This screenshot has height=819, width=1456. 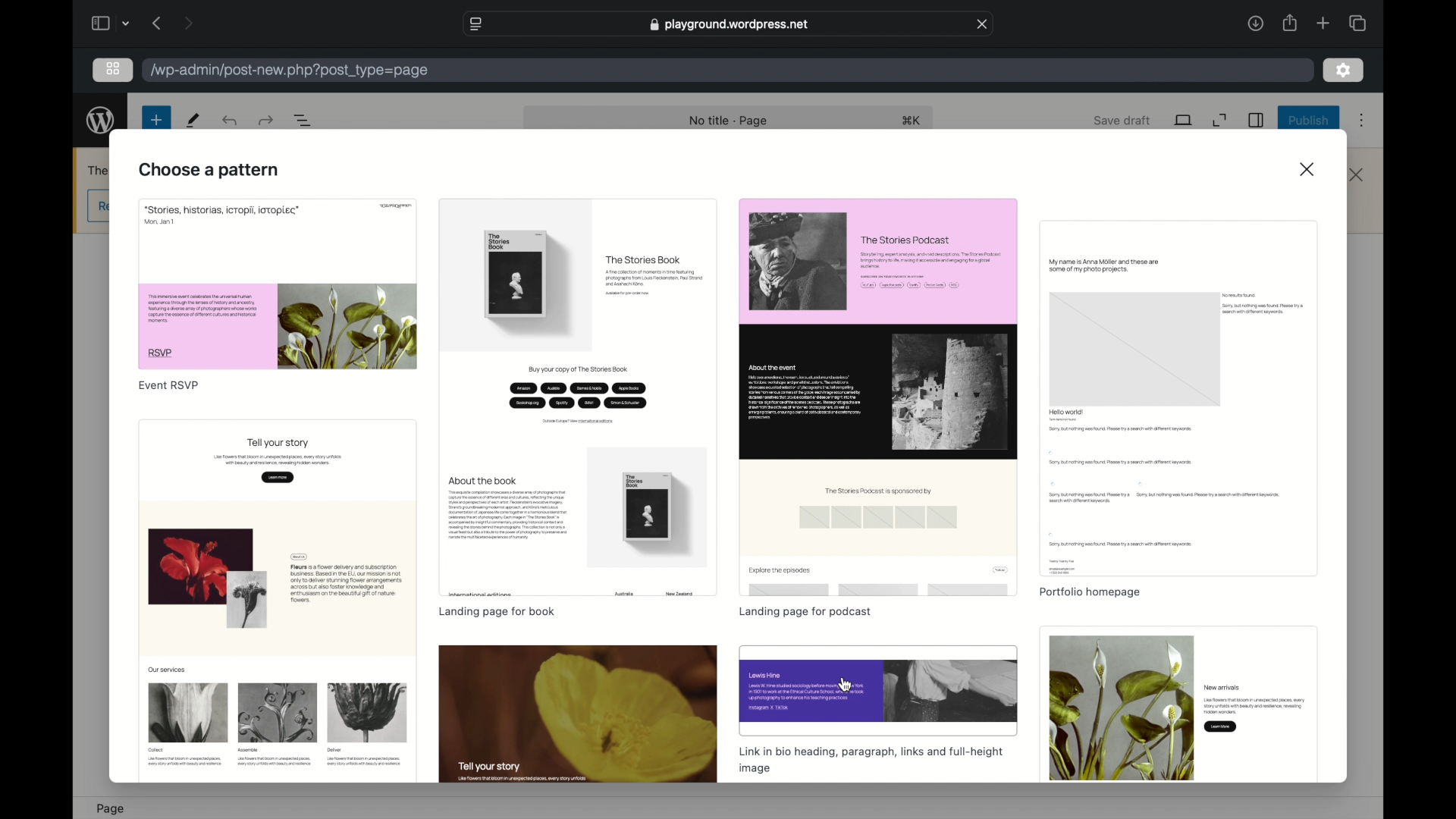 What do you see at coordinates (728, 121) in the screenshot?
I see `no title page` at bounding box center [728, 121].